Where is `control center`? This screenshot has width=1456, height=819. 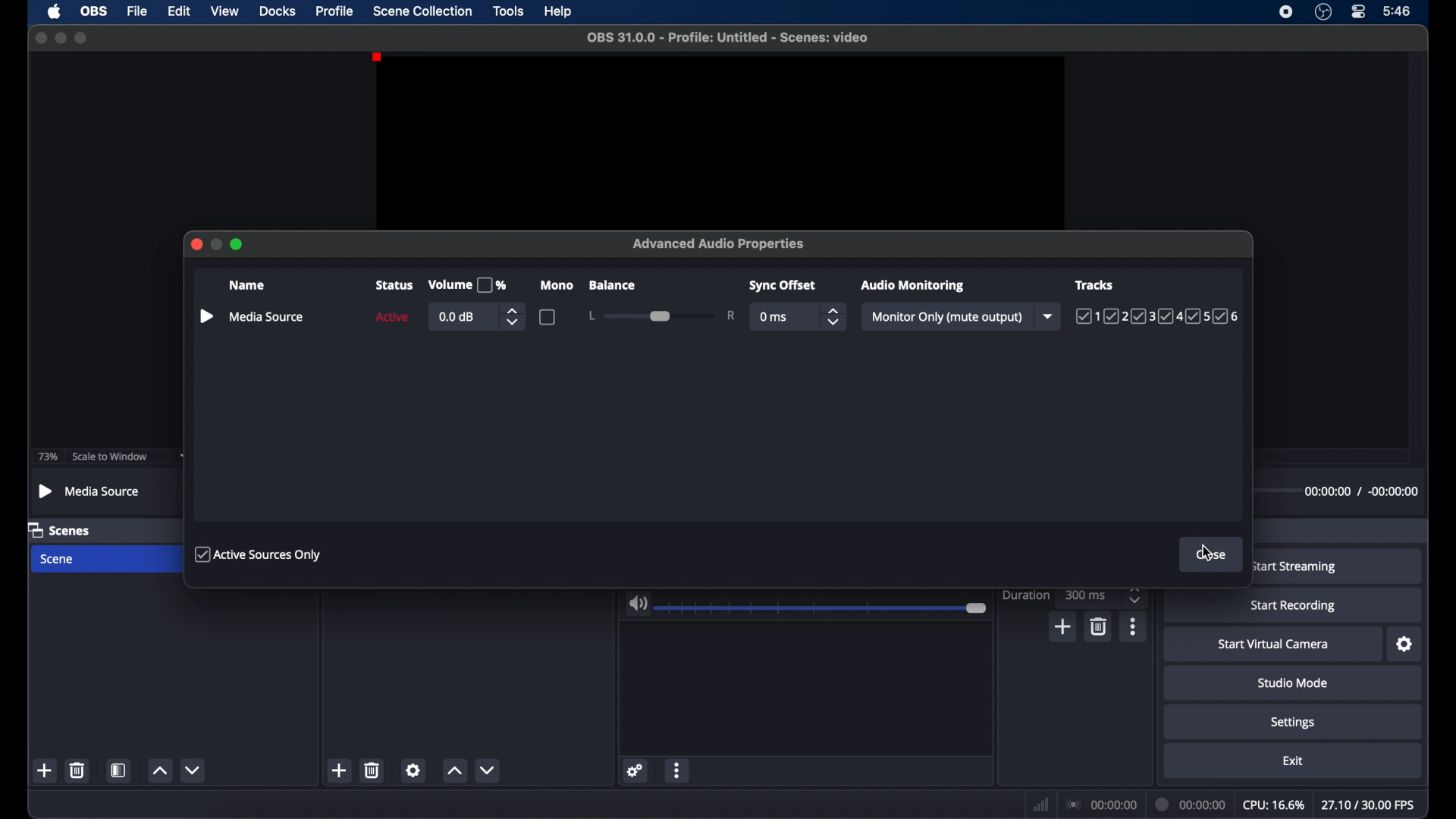 control center is located at coordinates (1359, 12).